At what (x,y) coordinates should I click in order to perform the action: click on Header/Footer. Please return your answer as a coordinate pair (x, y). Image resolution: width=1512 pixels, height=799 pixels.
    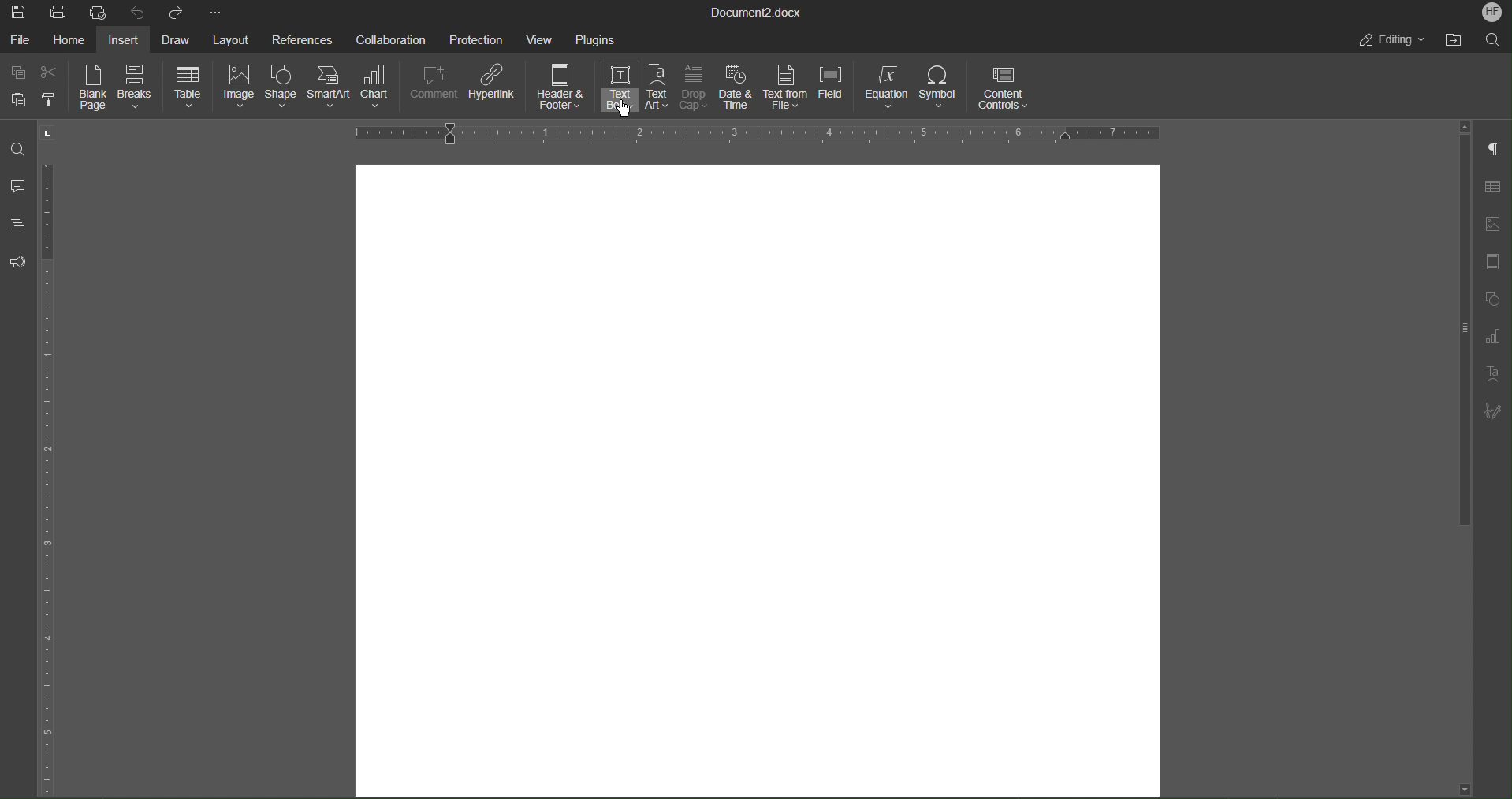
    Looking at the image, I should click on (1490, 262).